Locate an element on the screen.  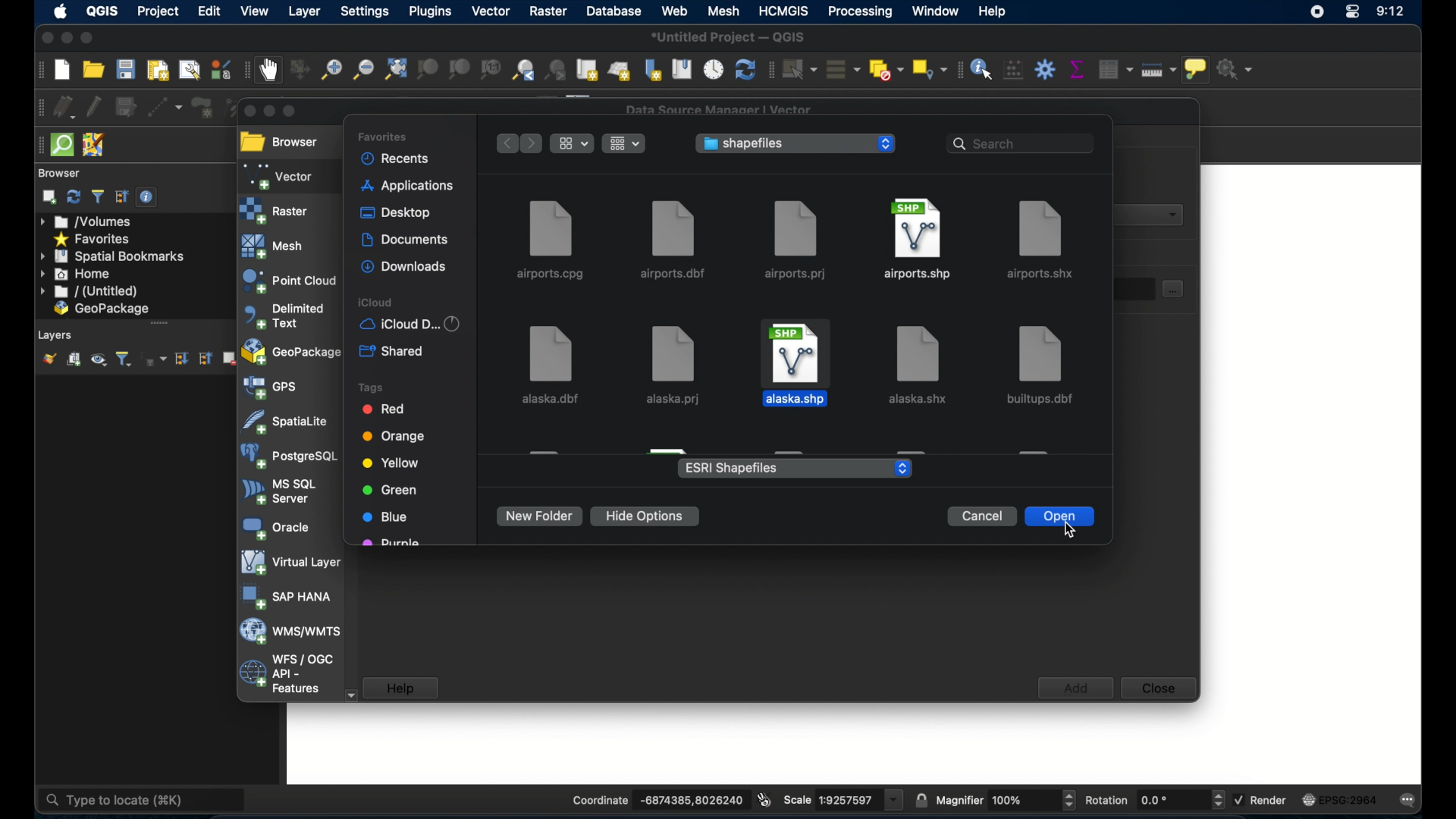
coordinate  is located at coordinates (644, 796).